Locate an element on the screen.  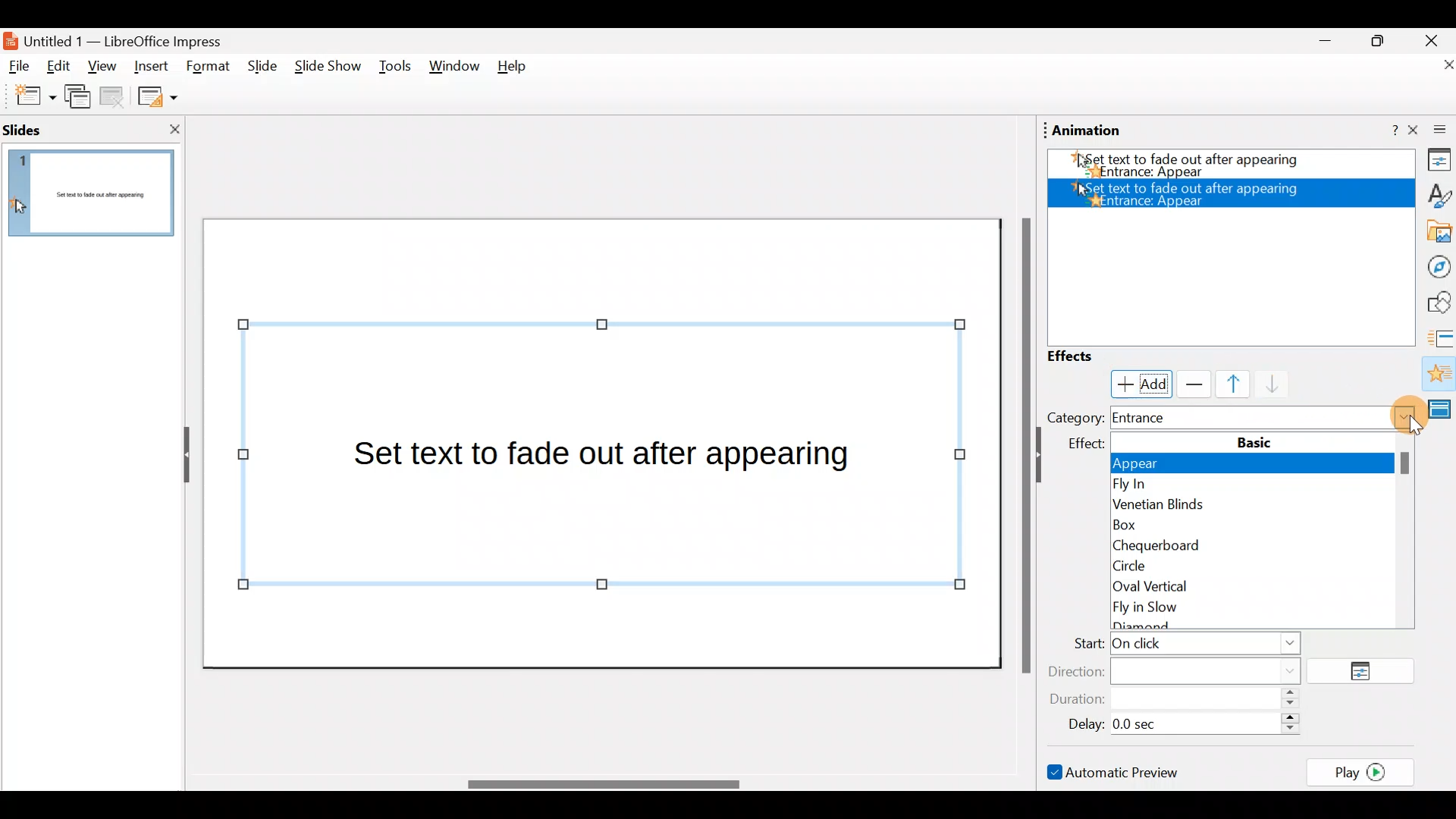
Presentation slide is located at coordinates (605, 442).